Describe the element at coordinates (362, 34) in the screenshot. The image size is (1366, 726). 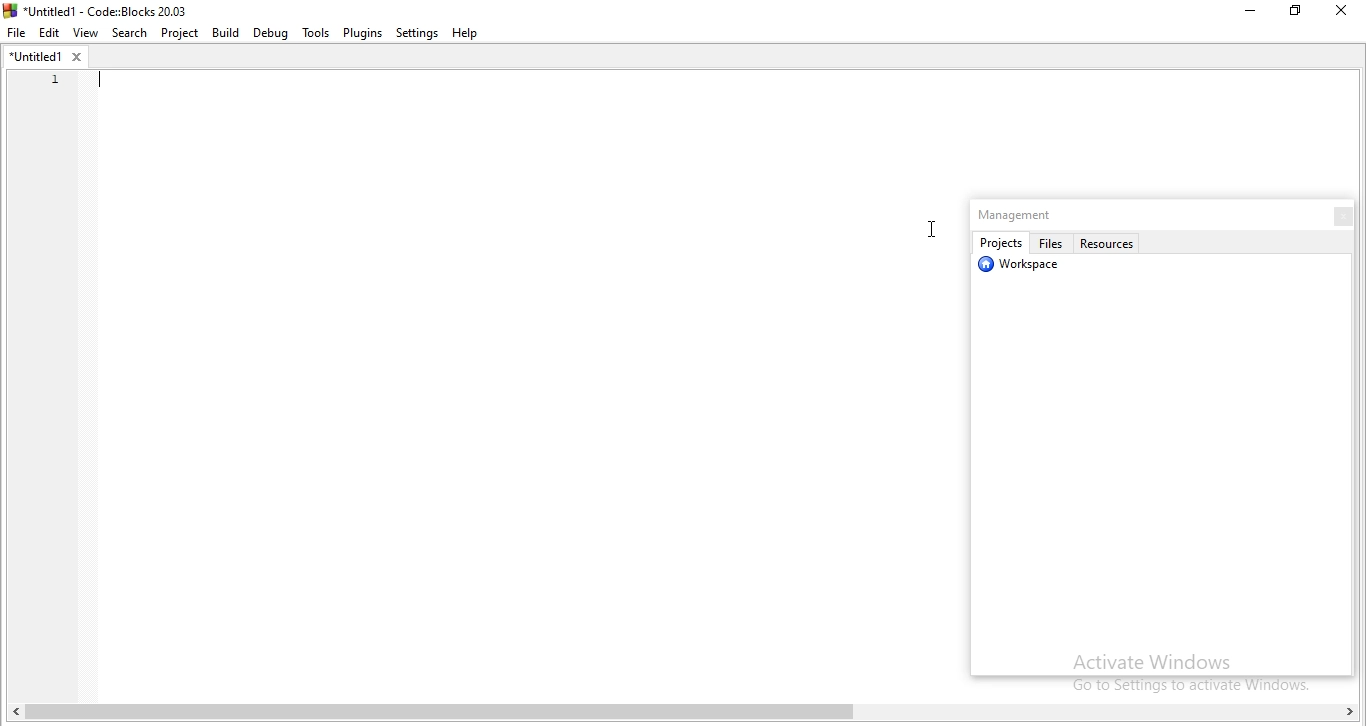
I see `Plugins ` at that location.